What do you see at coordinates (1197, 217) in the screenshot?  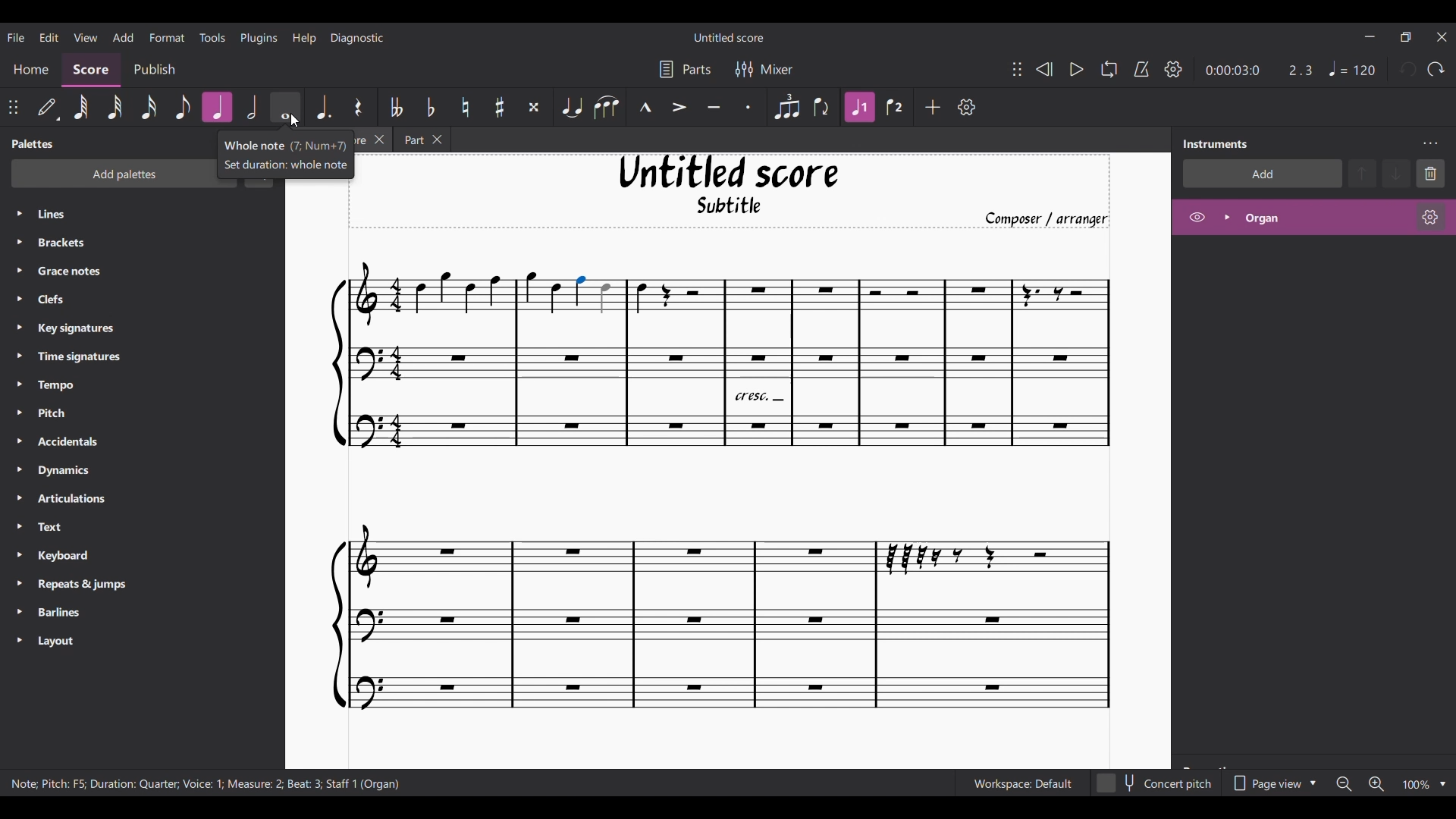 I see `Hide Organ on score` at bounding box center [1197, 217].